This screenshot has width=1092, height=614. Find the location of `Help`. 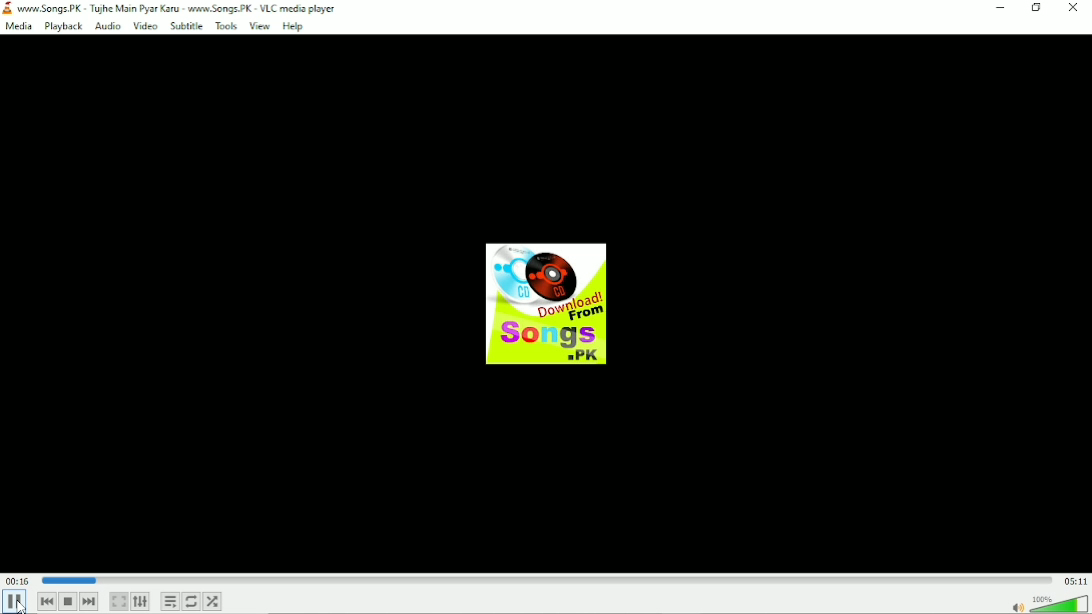

Help is located at coordinates (295, 25).